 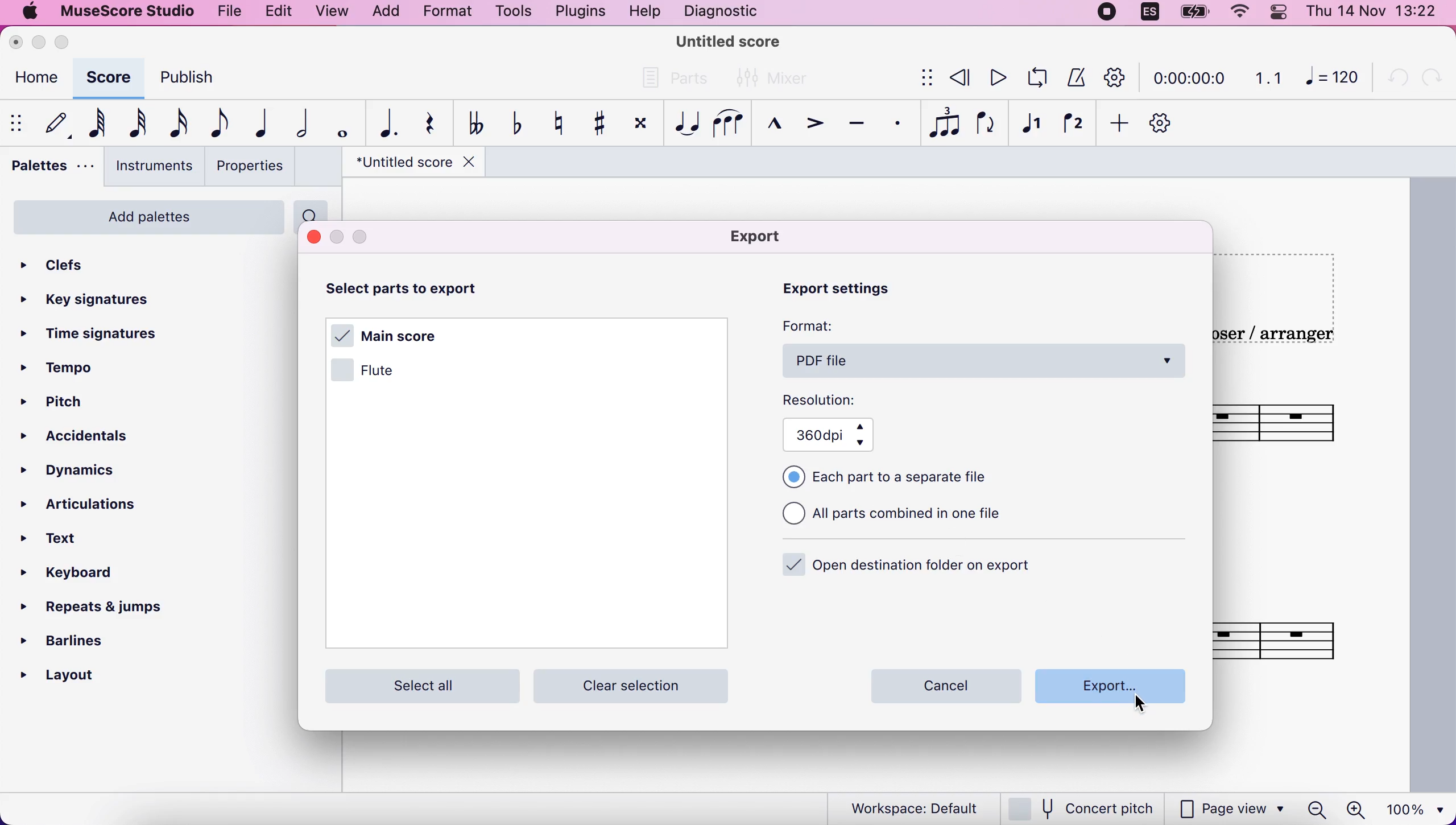 What do you see at coordinates (850, 294) in the screenshot?
I see `export settings` at bounding box center [850, 294].